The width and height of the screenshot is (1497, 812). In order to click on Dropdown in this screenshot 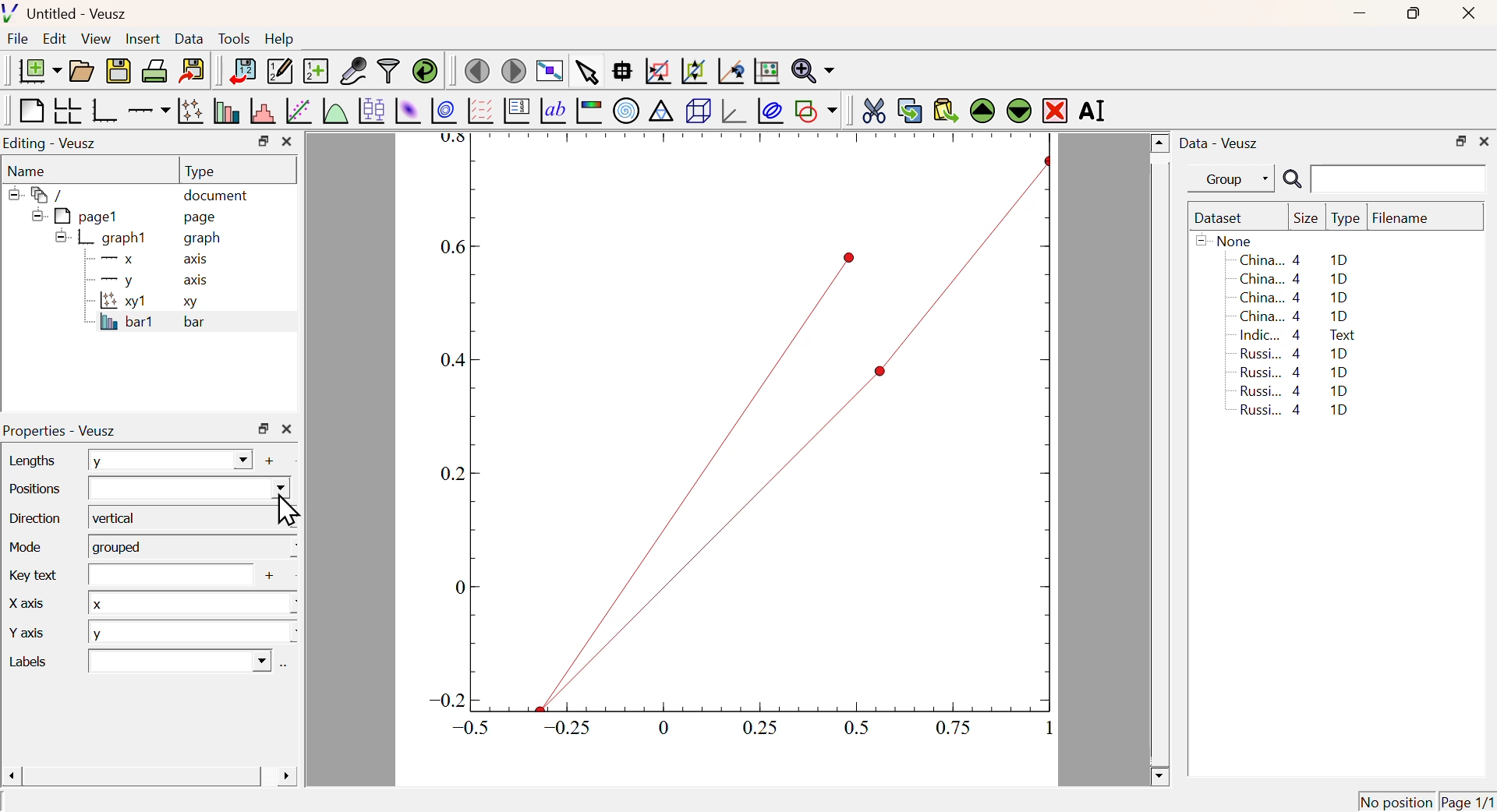, I will do `click(189, 487)`.